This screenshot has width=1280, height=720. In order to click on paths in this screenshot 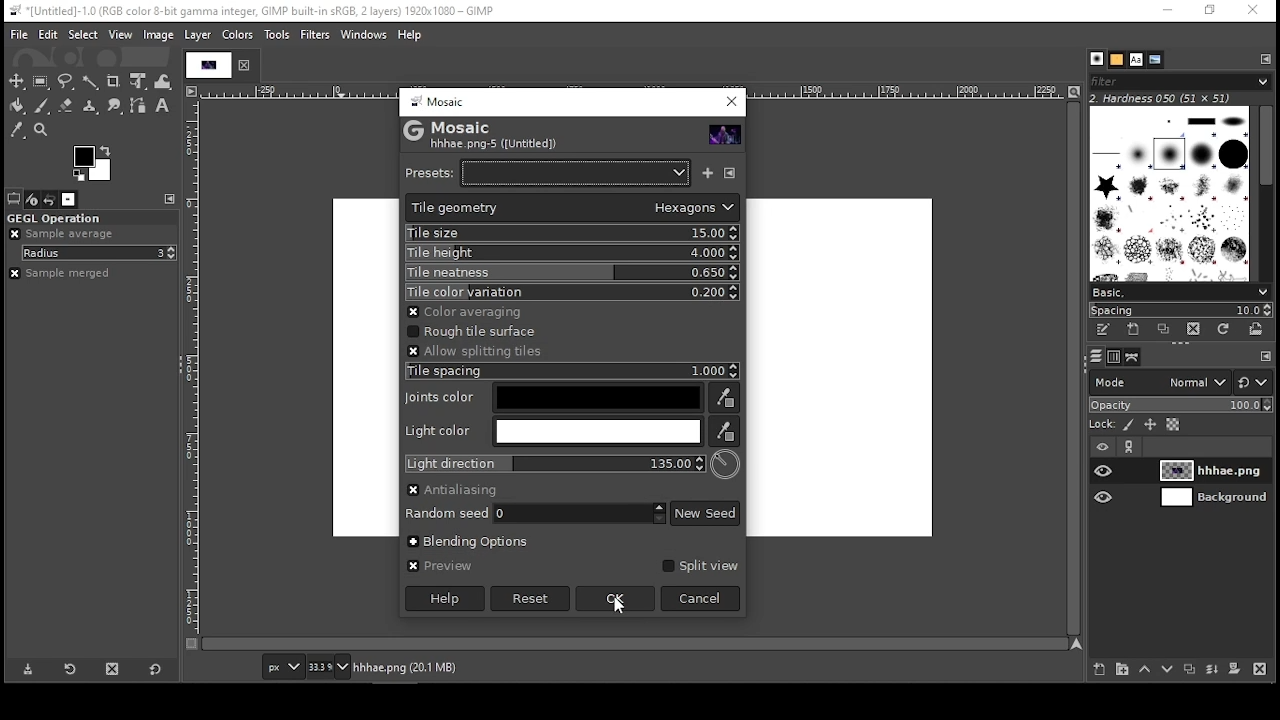, I will do `click(1134, 356)`.